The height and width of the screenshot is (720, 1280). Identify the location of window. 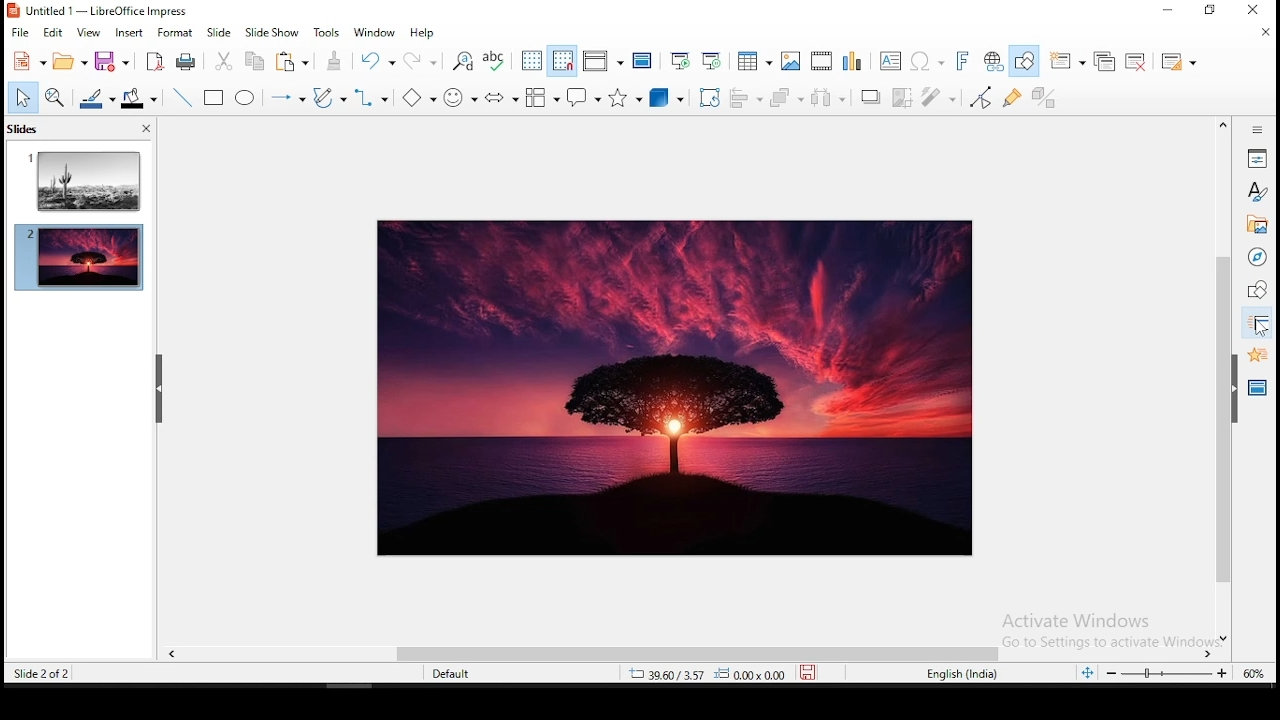
(375, 33).